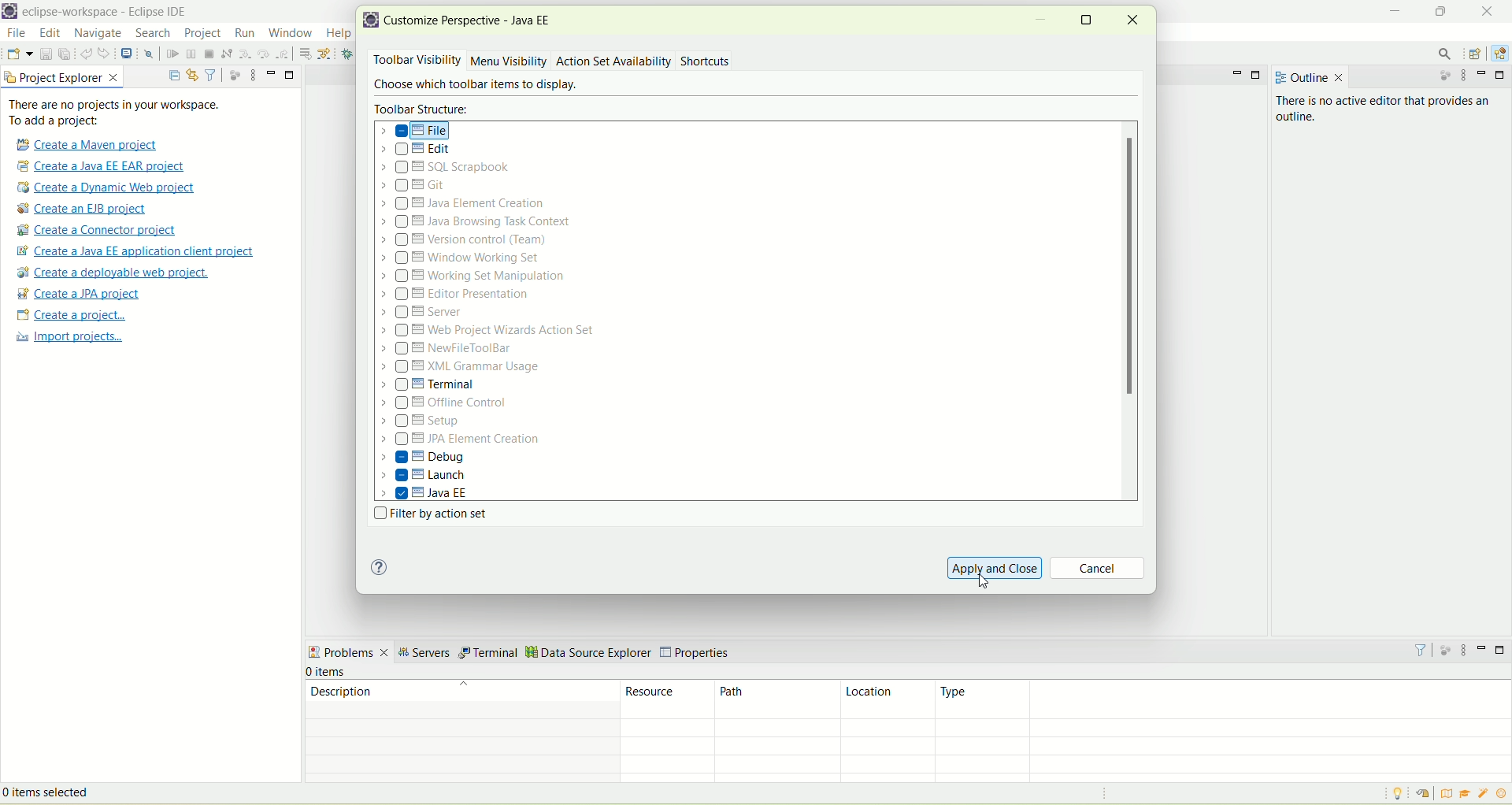 The width and height of the screenshot is (1512, 805). I want to click on maximize, so click(1501, 650).